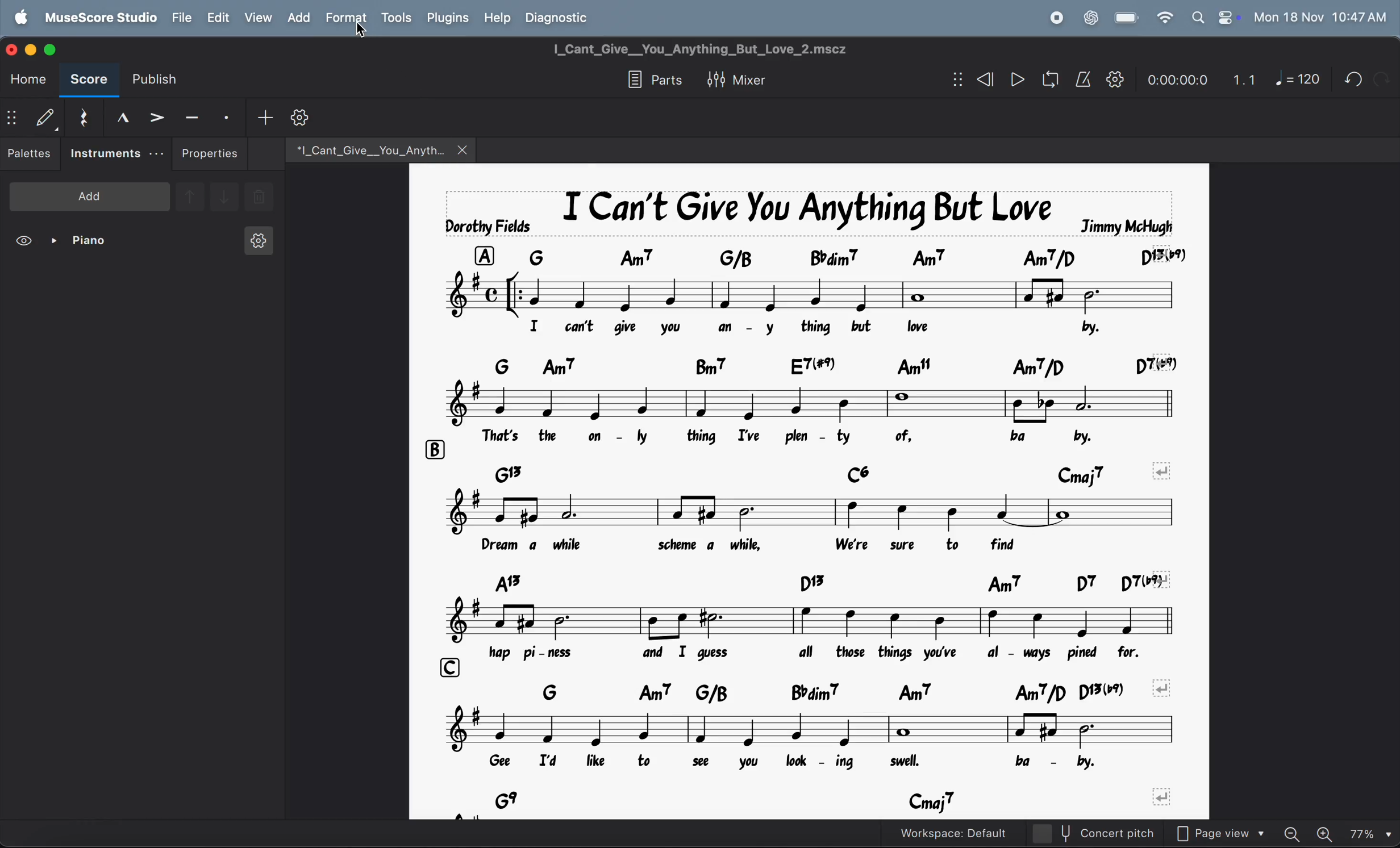 Image resolution: width=1400 pixels, height=848 pixels. What do you see at coordinates (790, 765) in the screenshot?
I see `lyrics` at bounding box center [790, 765].